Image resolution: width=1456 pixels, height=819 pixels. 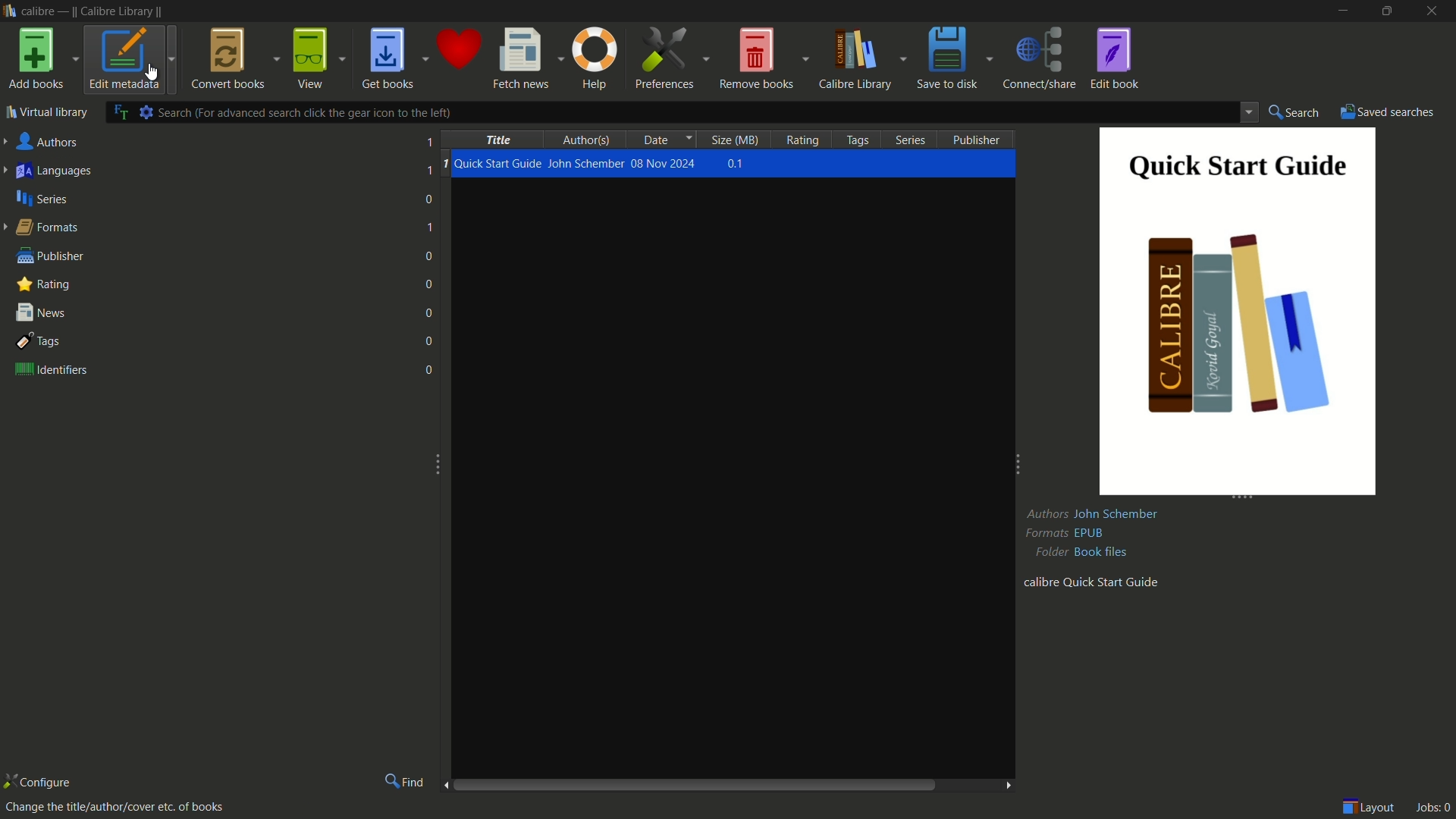 I want to click on formats, so click(x=49, y=227).